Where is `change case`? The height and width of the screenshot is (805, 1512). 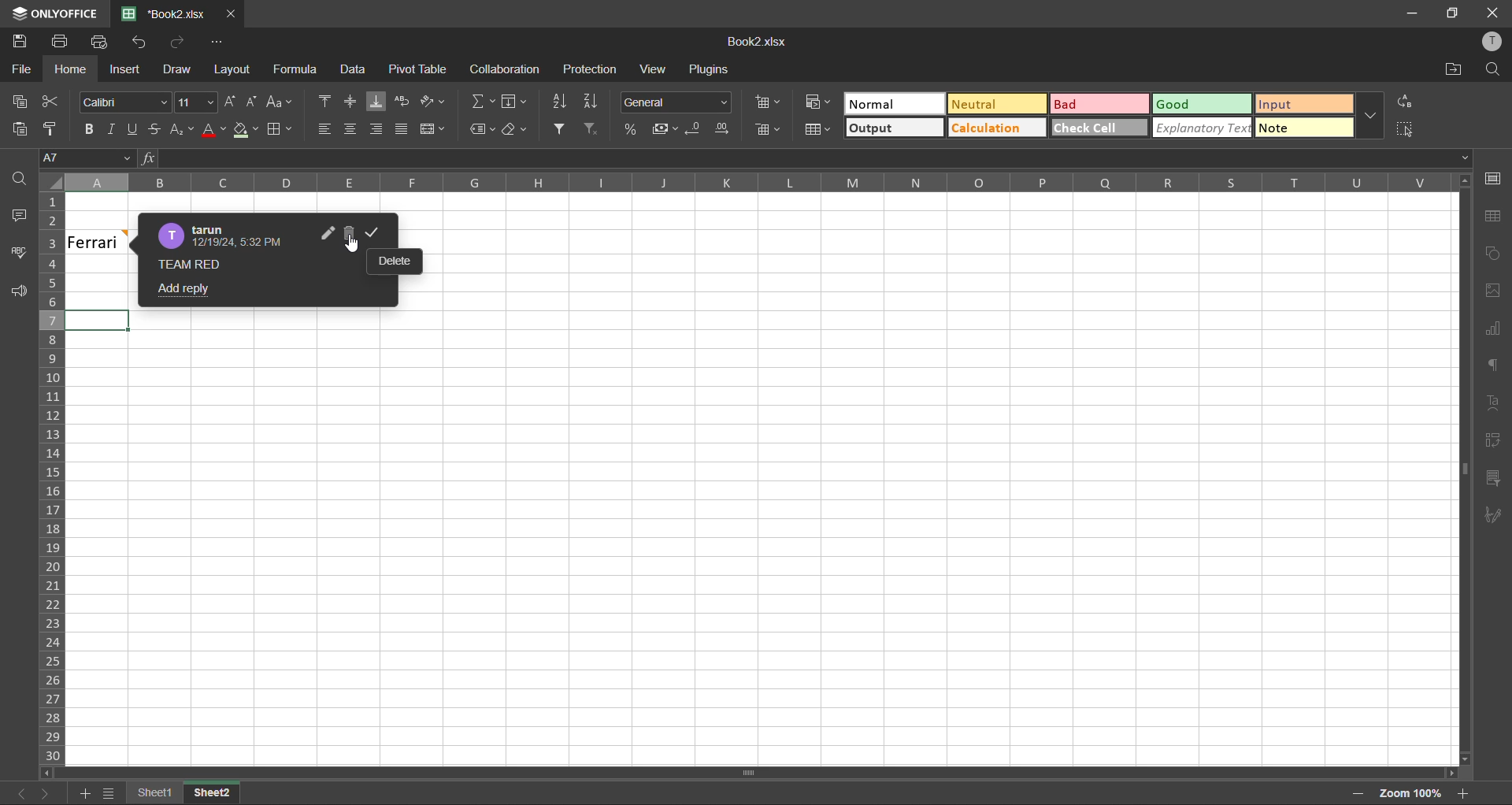 change case is located at coordinates (279, 103).